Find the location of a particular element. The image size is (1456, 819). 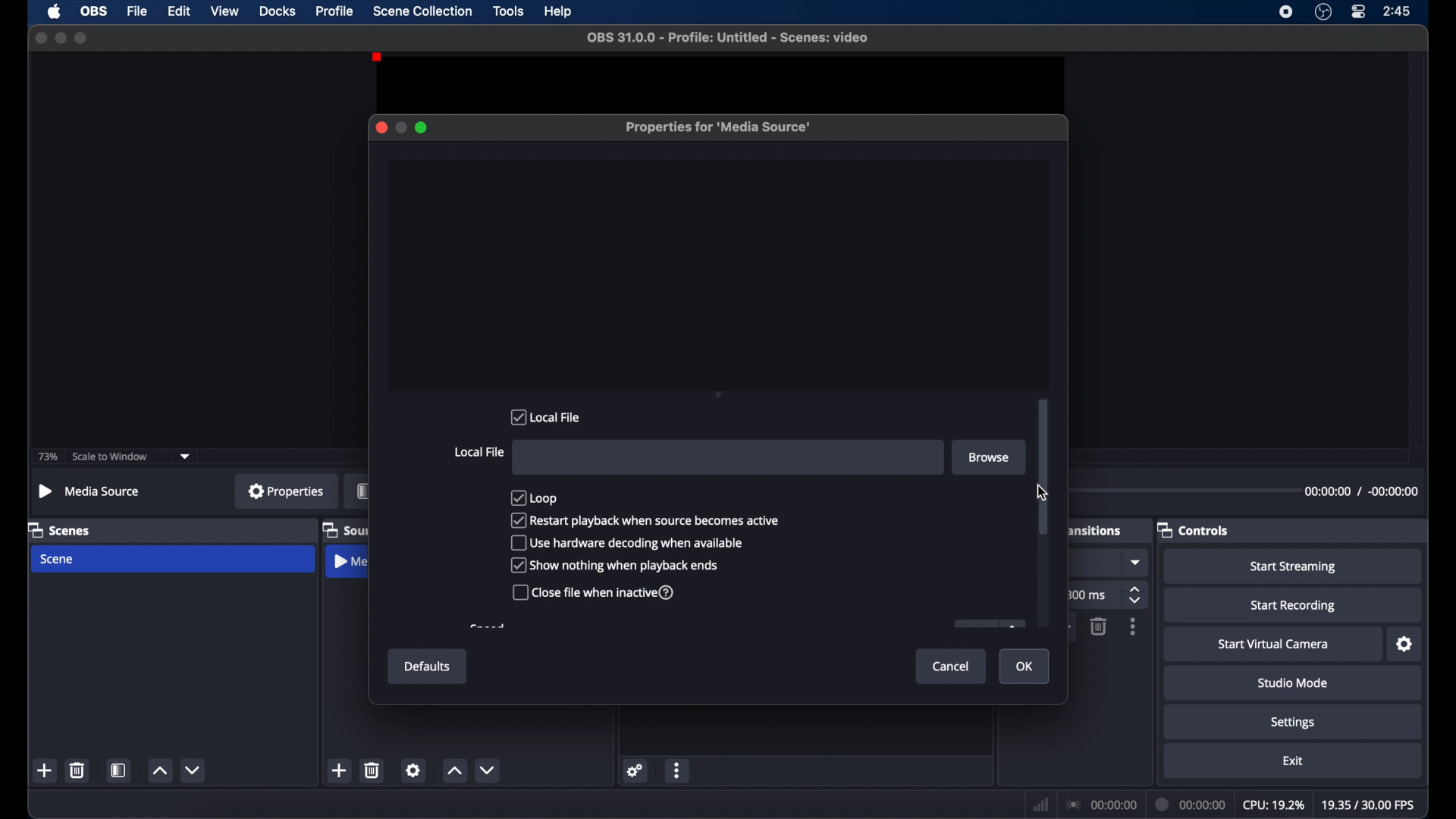

checkbox is located at coordinates (629, 542).